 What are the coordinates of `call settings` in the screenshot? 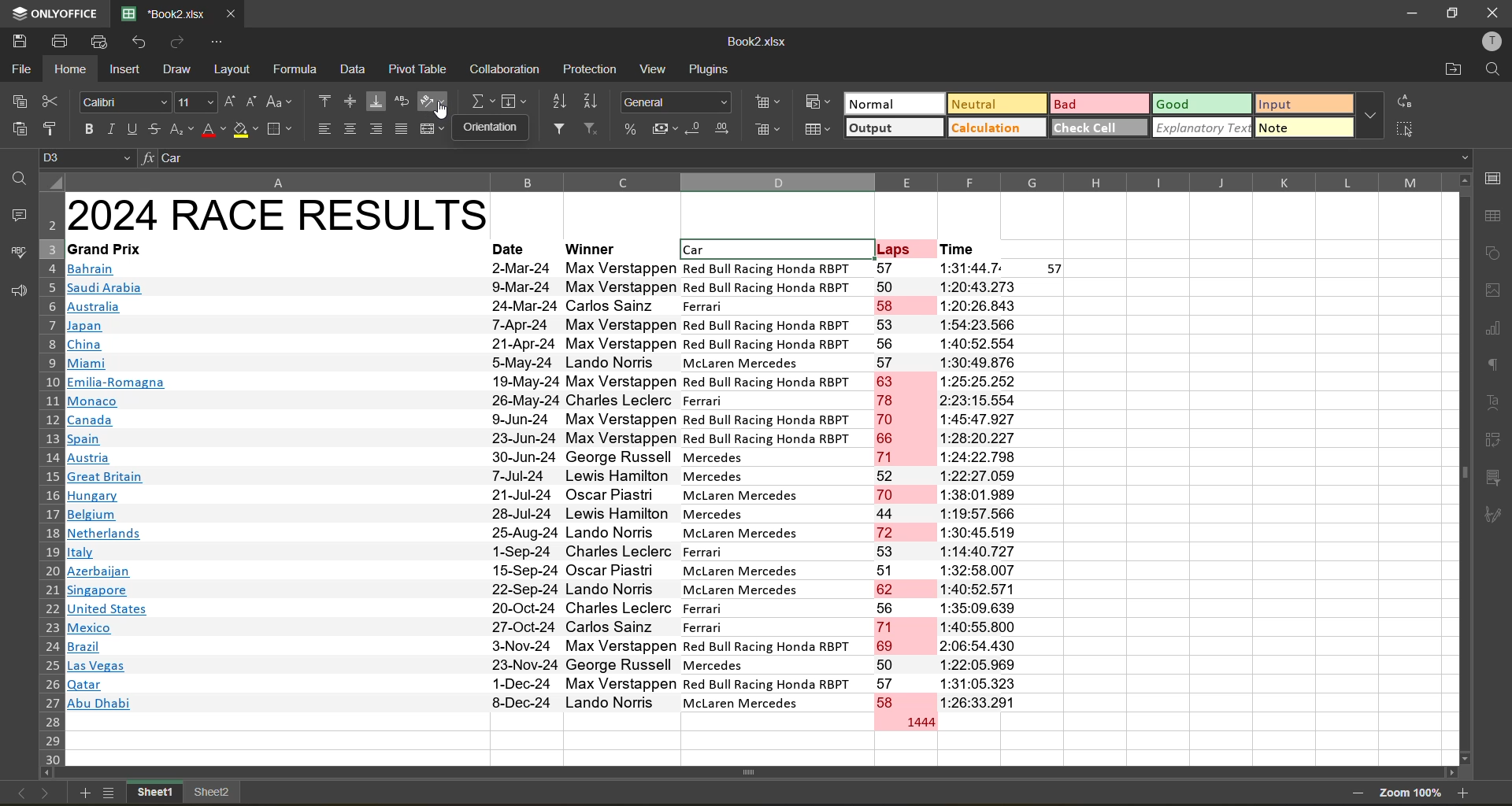 It's located at (1496, 179).